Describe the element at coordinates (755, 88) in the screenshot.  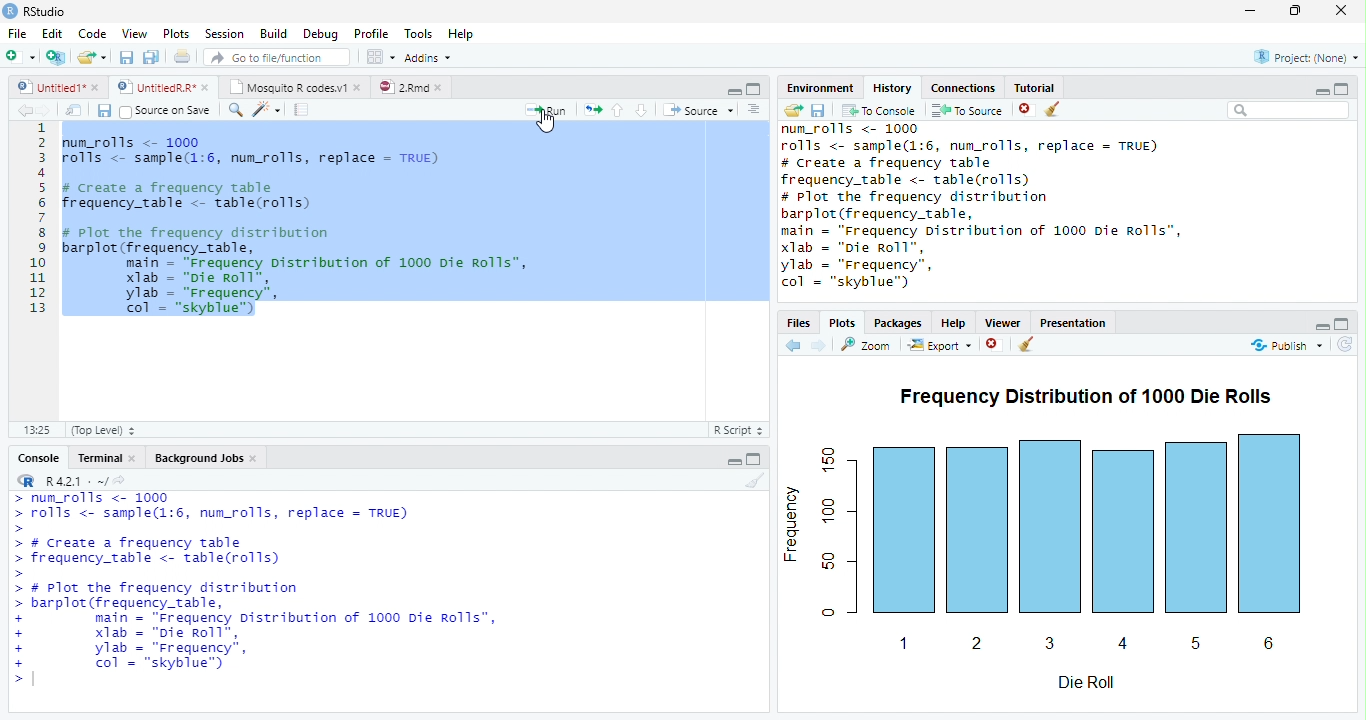
I see `Full Screen` at that location.